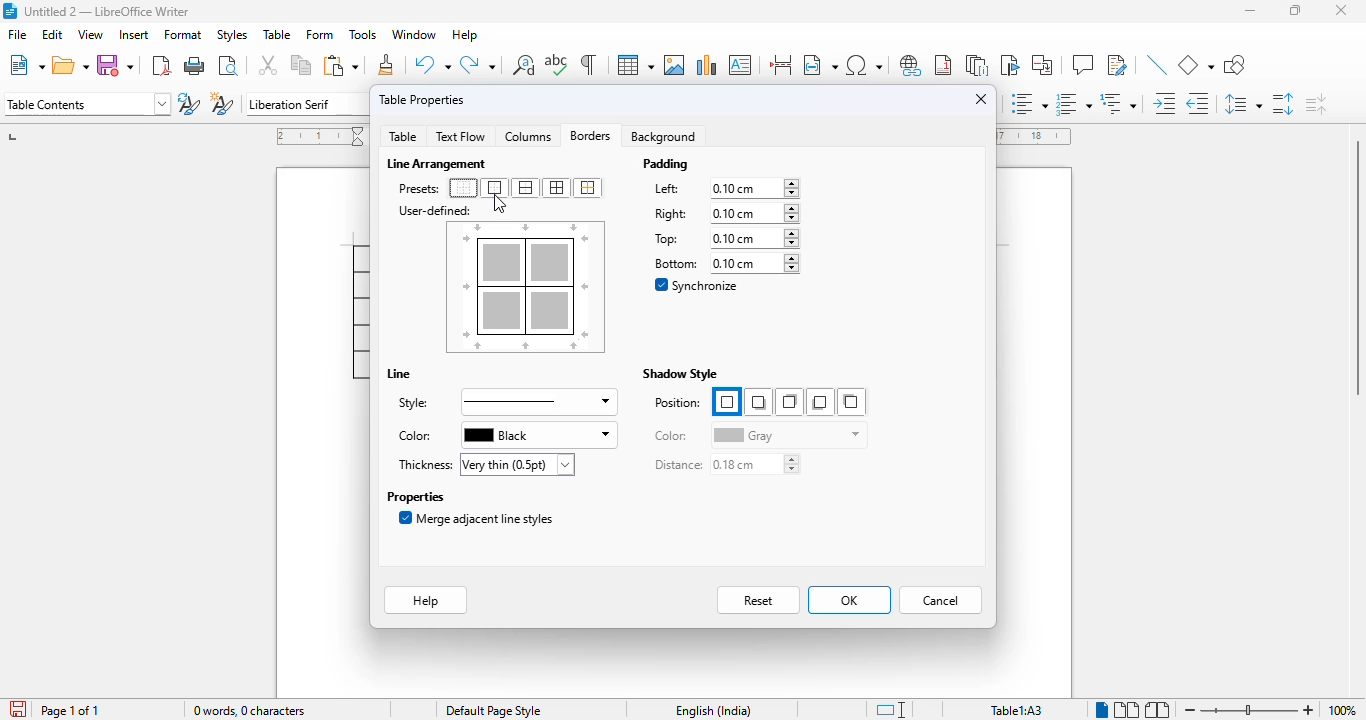 Image resolution: width=1366 pixels, height=720 pixels. Describe the element at coordinates (416, 35) in the screenshot. I see `window` at that location.